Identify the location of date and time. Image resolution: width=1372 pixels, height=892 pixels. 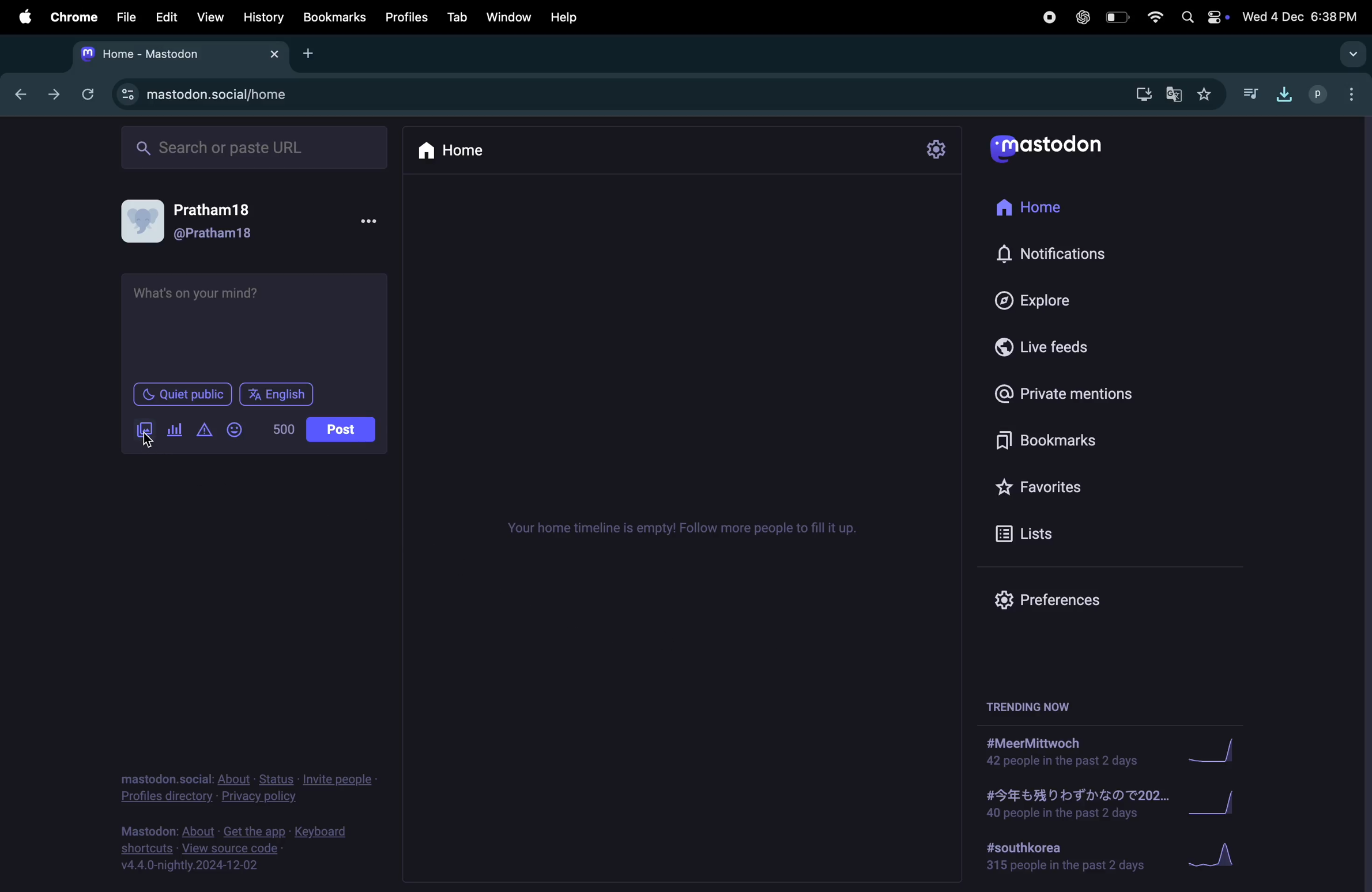
(1301, 17).